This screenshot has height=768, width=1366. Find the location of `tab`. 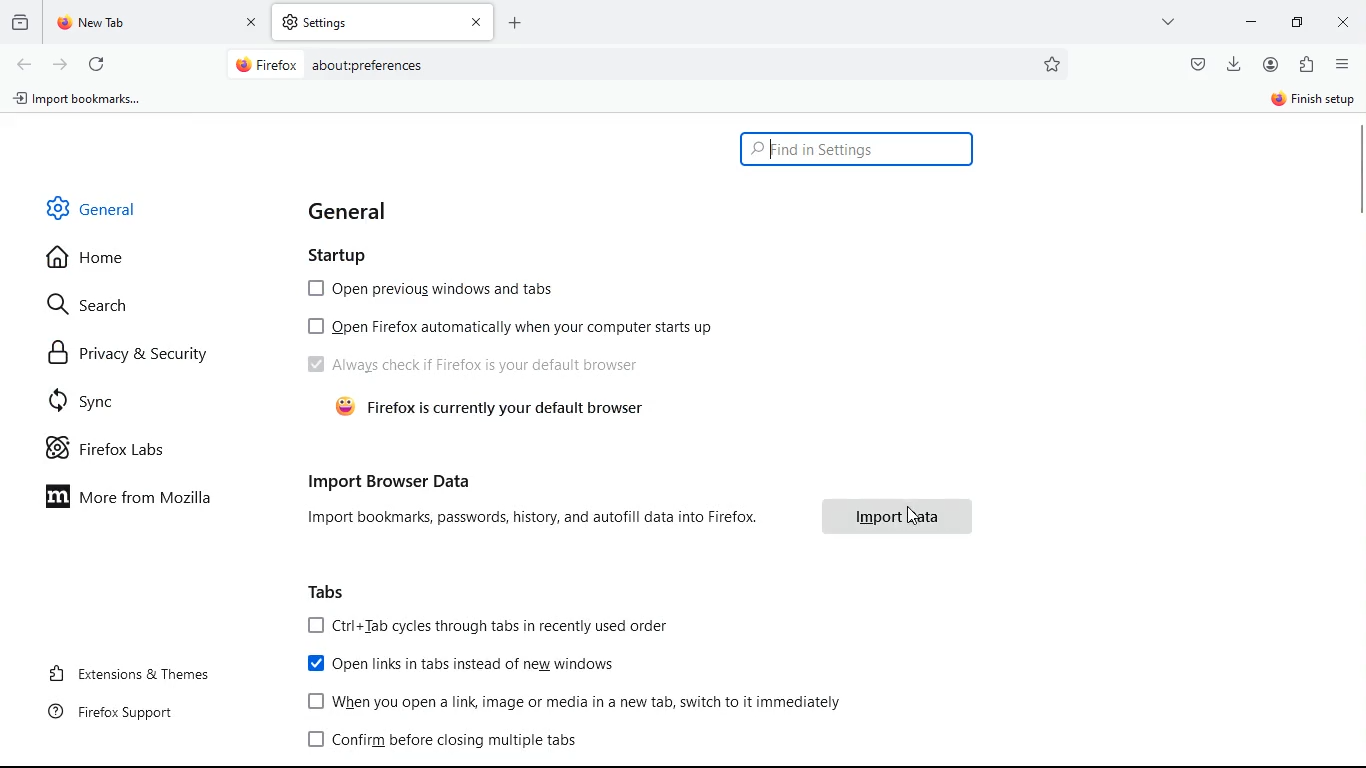

tab is located at coordinates (383, 22).